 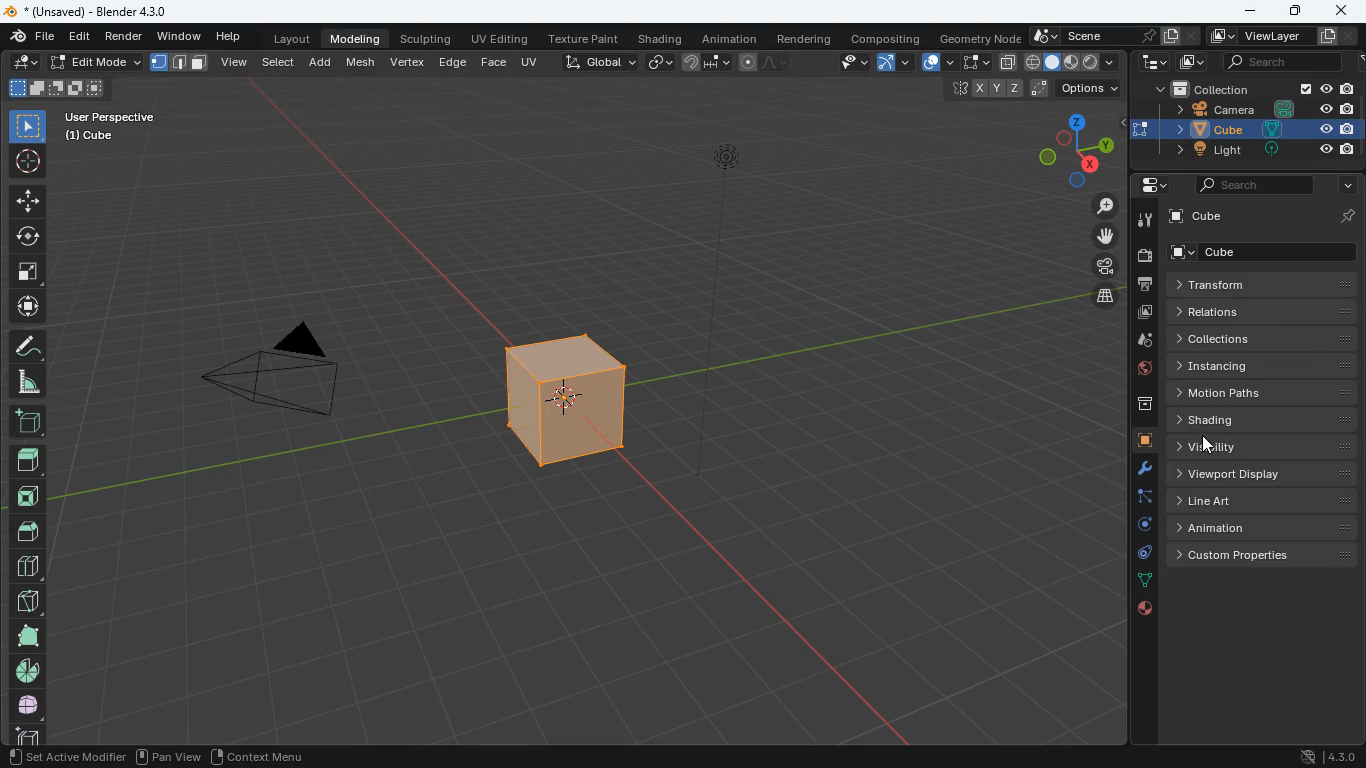 What do you see at coordinates (28, 566) in the screenshot?
I see `division` at bounding box center [28, 566].